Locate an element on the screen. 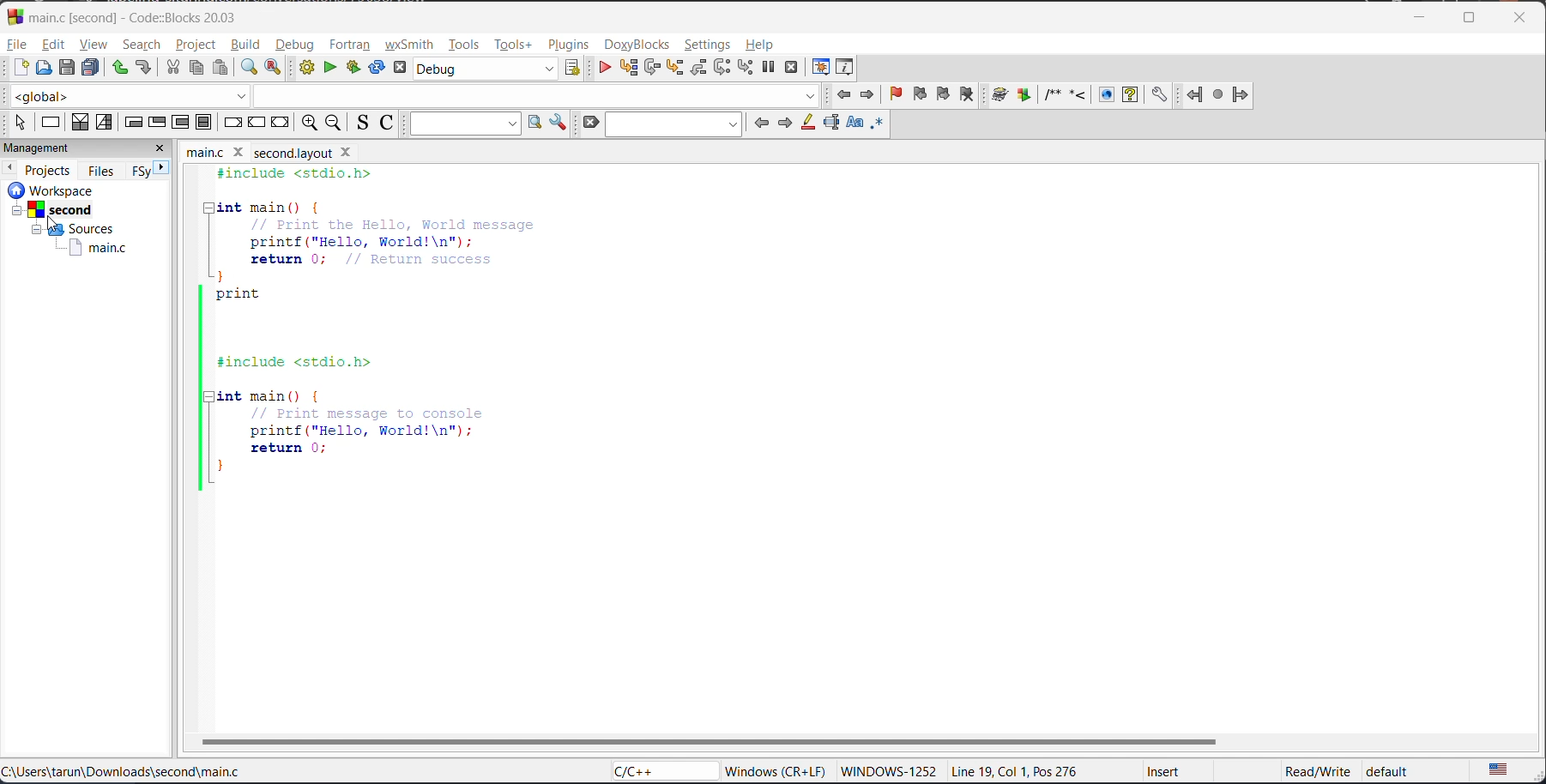  jump back is located at coordinates (847, 95).